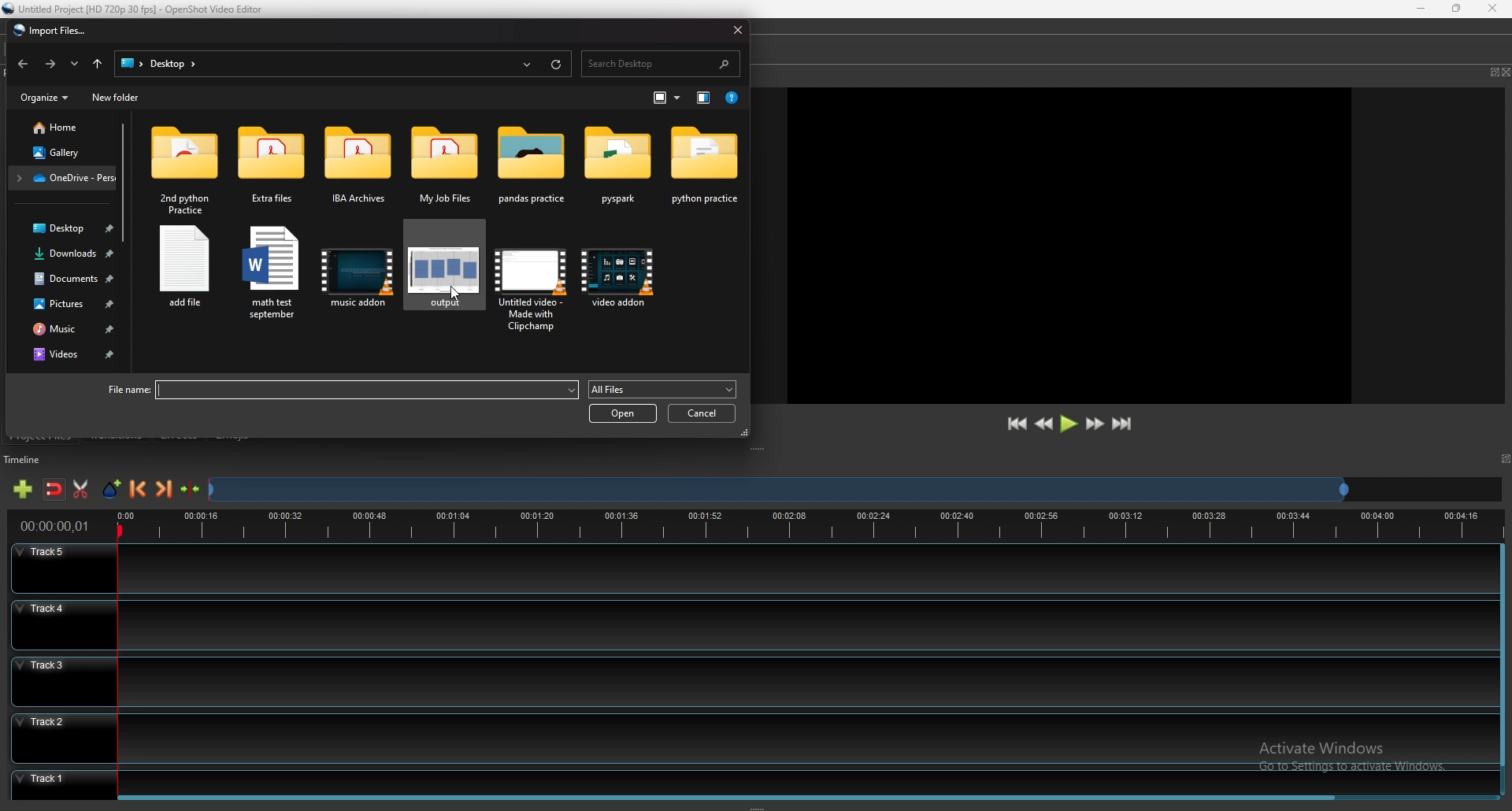 The height and width of the screenshot is (811, 1512). What do you see at coordinates (61, 178) in the screenshot?
I see `folder` at bounding box center [61, 178].